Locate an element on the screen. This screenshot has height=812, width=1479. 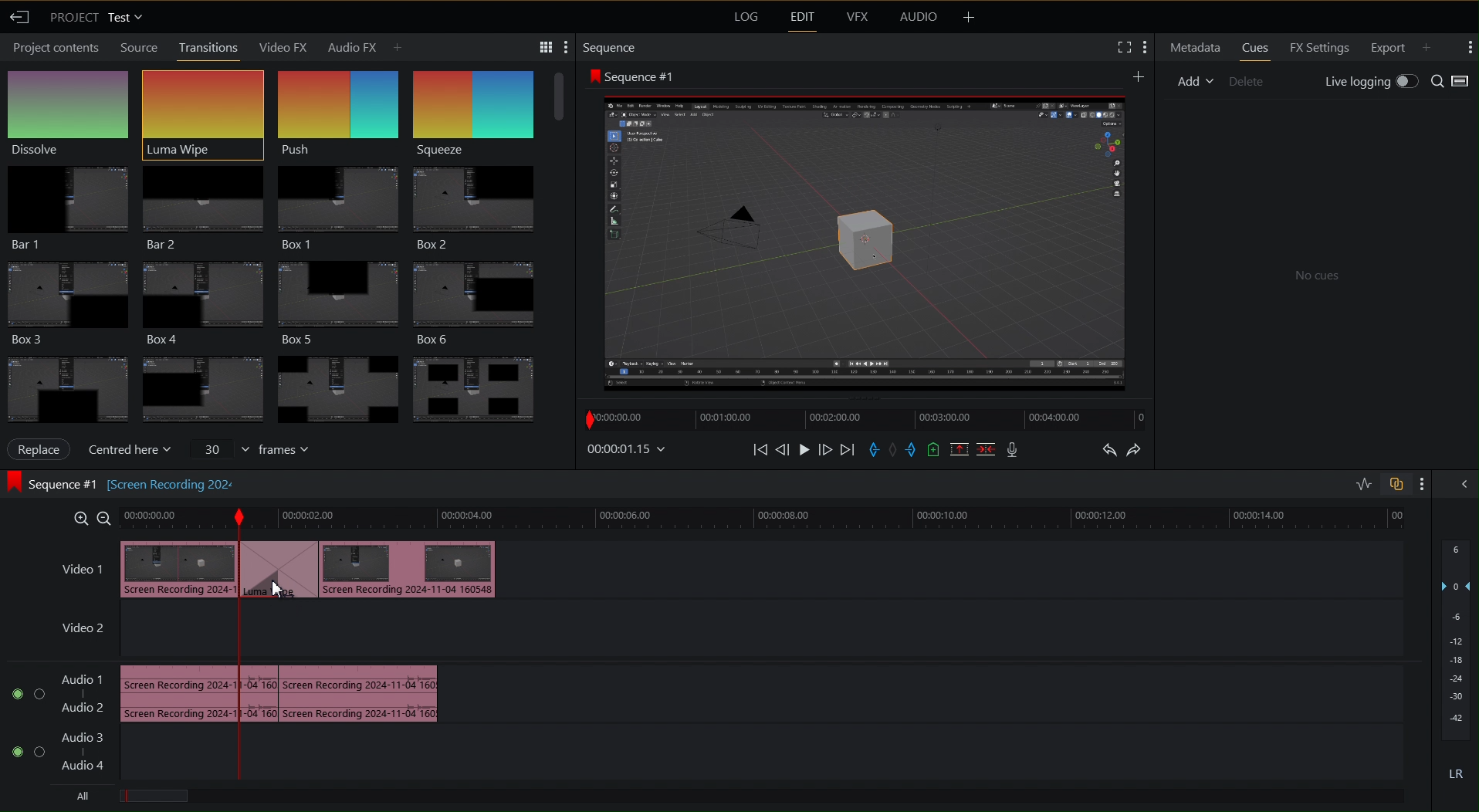
Timestamp is located at coordinates (630, 449).